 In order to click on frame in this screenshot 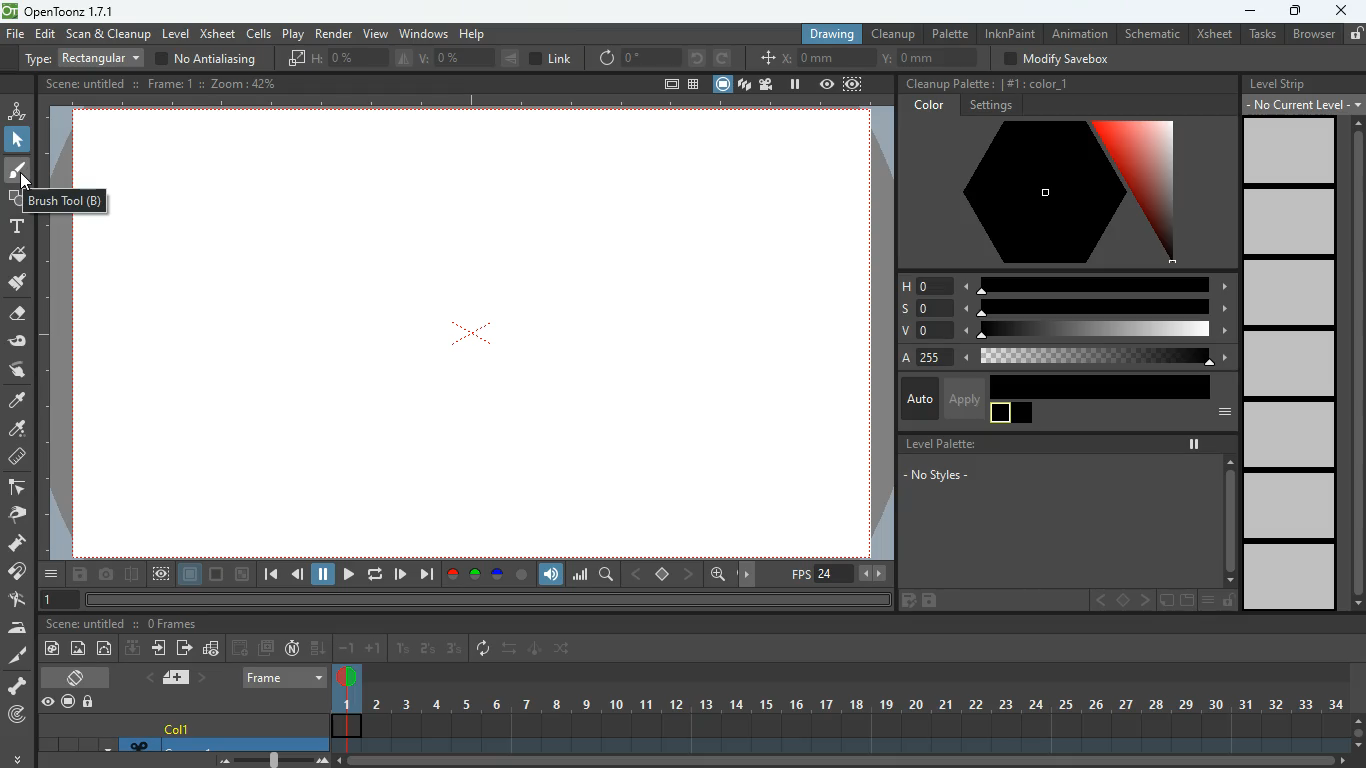, I will do `click(56, 601)`.